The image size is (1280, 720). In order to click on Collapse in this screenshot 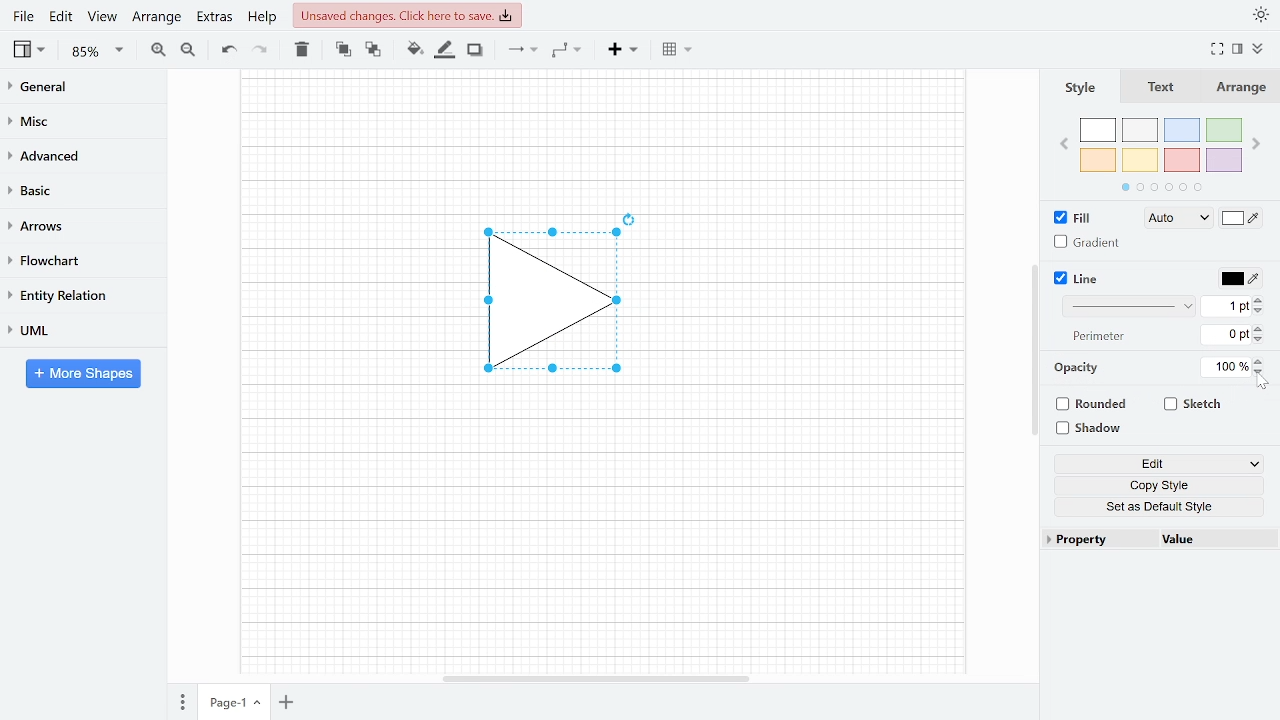, I will do `click(1265, 51)`.